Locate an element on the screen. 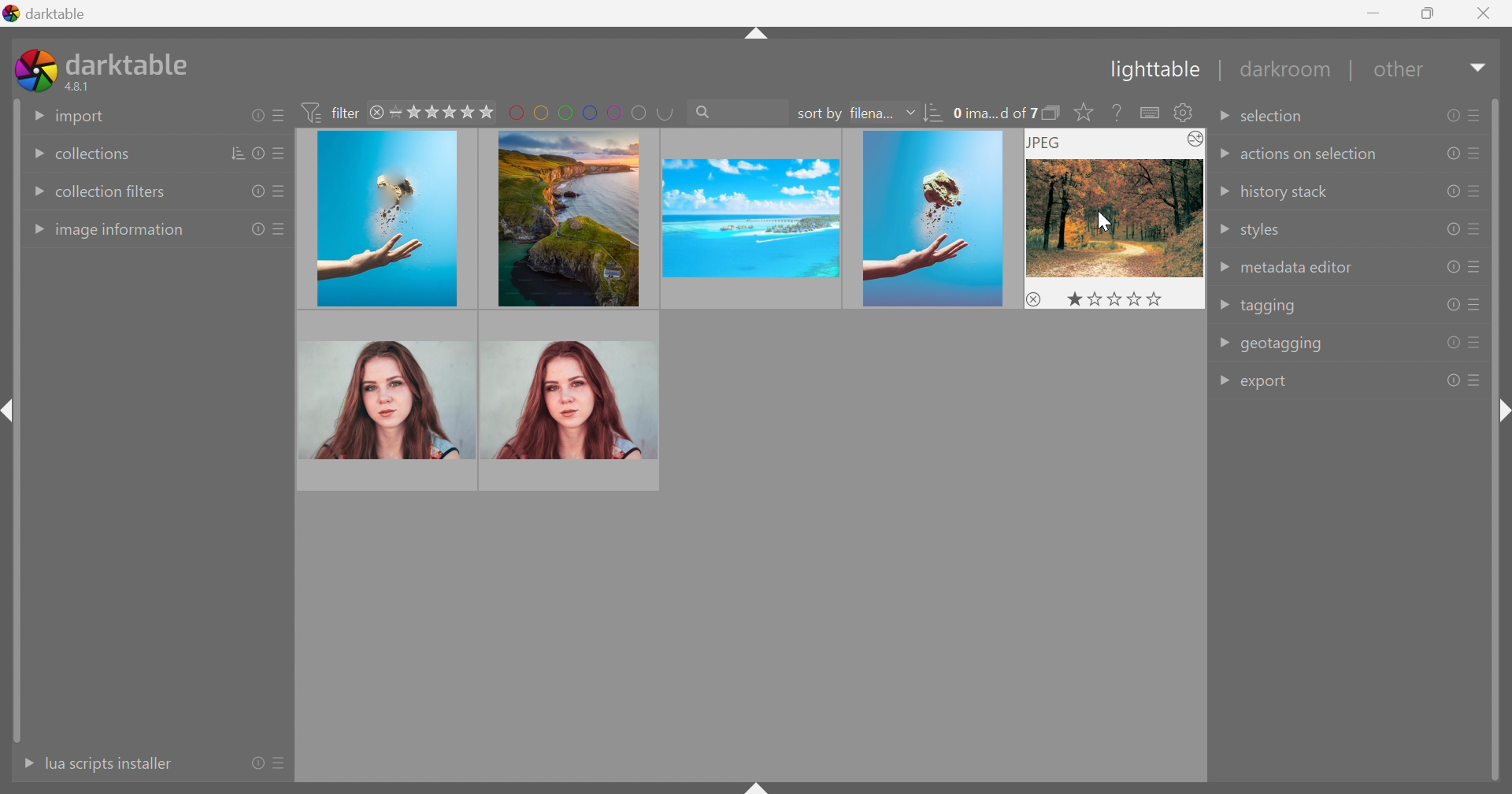 Image resolution: width=1512 pixels, height=794 pixels. Lighttable is located at coordinates (1151, 72).